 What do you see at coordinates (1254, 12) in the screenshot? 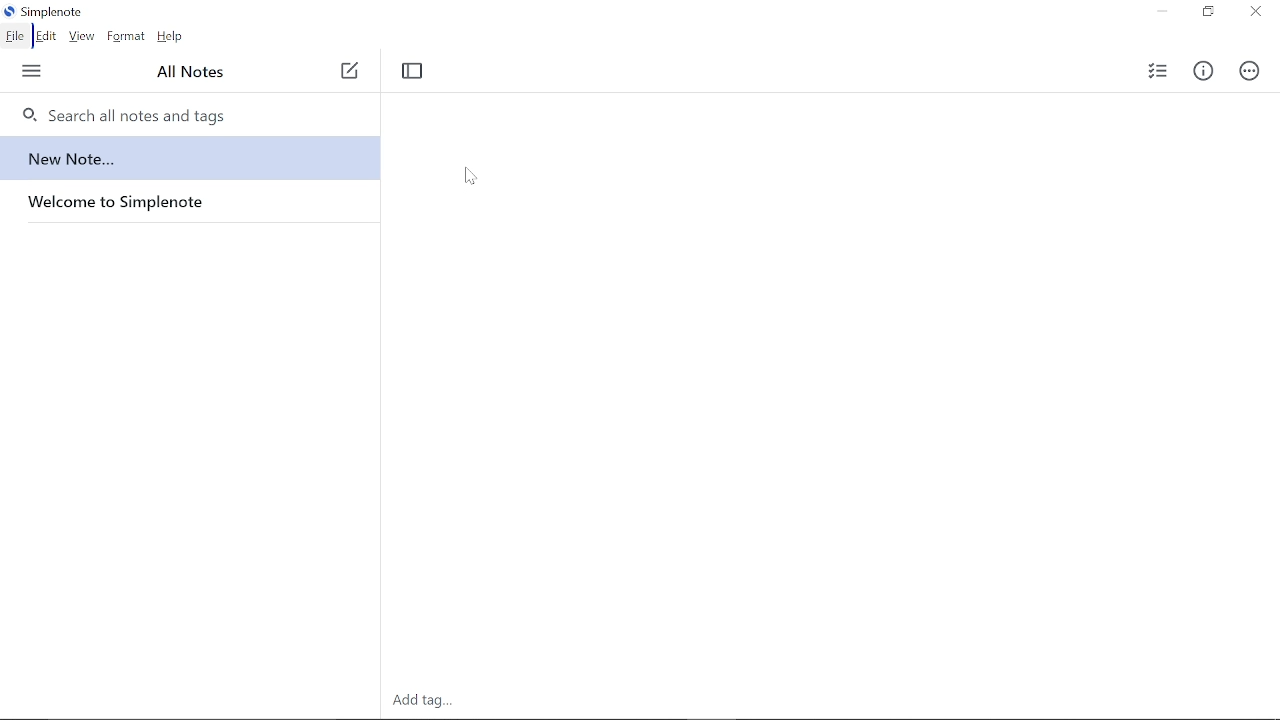
I see `Close` at bounding box center [1254, 12].